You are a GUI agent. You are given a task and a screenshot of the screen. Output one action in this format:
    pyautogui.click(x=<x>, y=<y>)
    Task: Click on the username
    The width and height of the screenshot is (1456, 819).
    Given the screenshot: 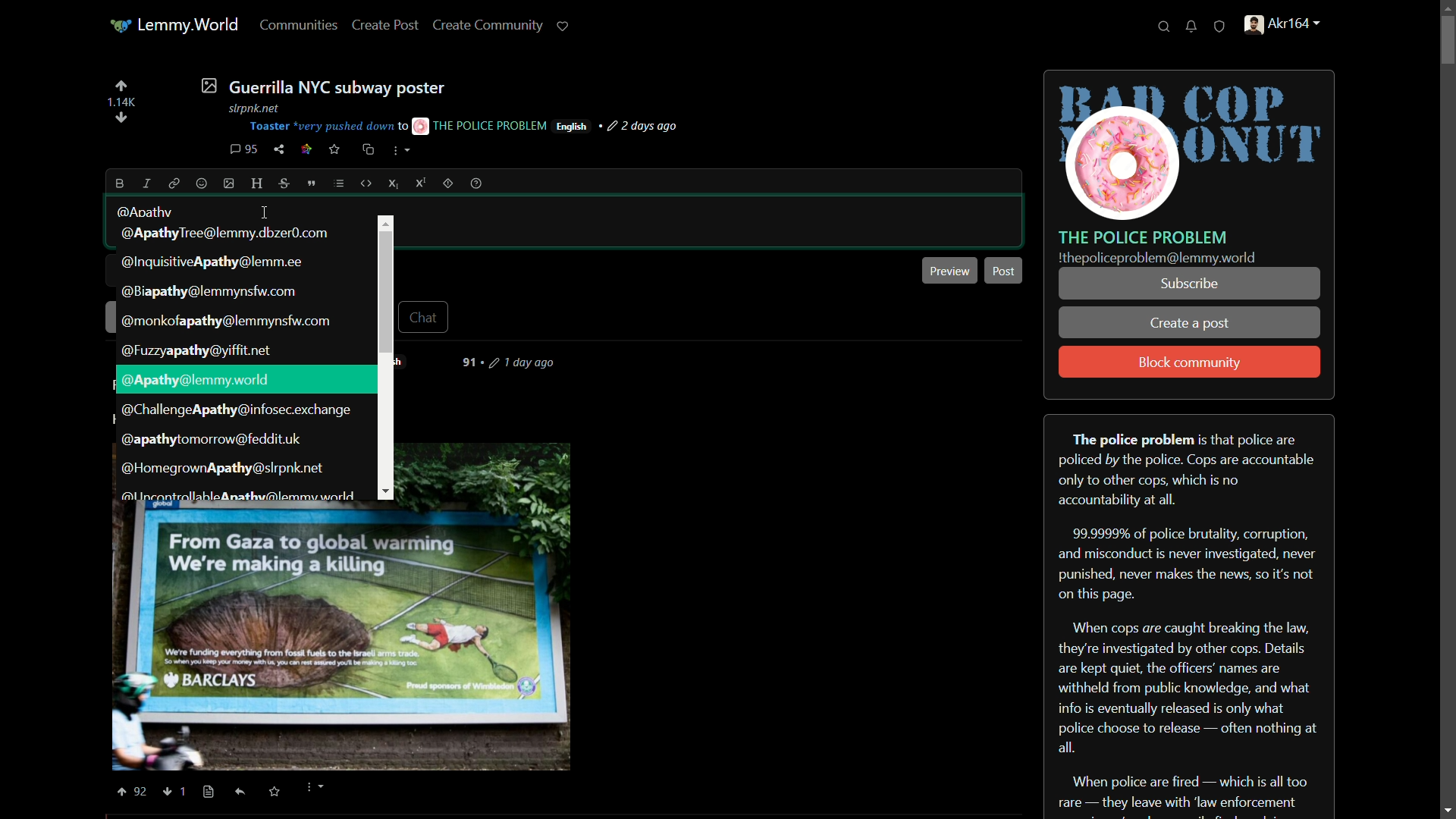 What is the action you would take?
    pyautogui.click(x=195, y=381)
    